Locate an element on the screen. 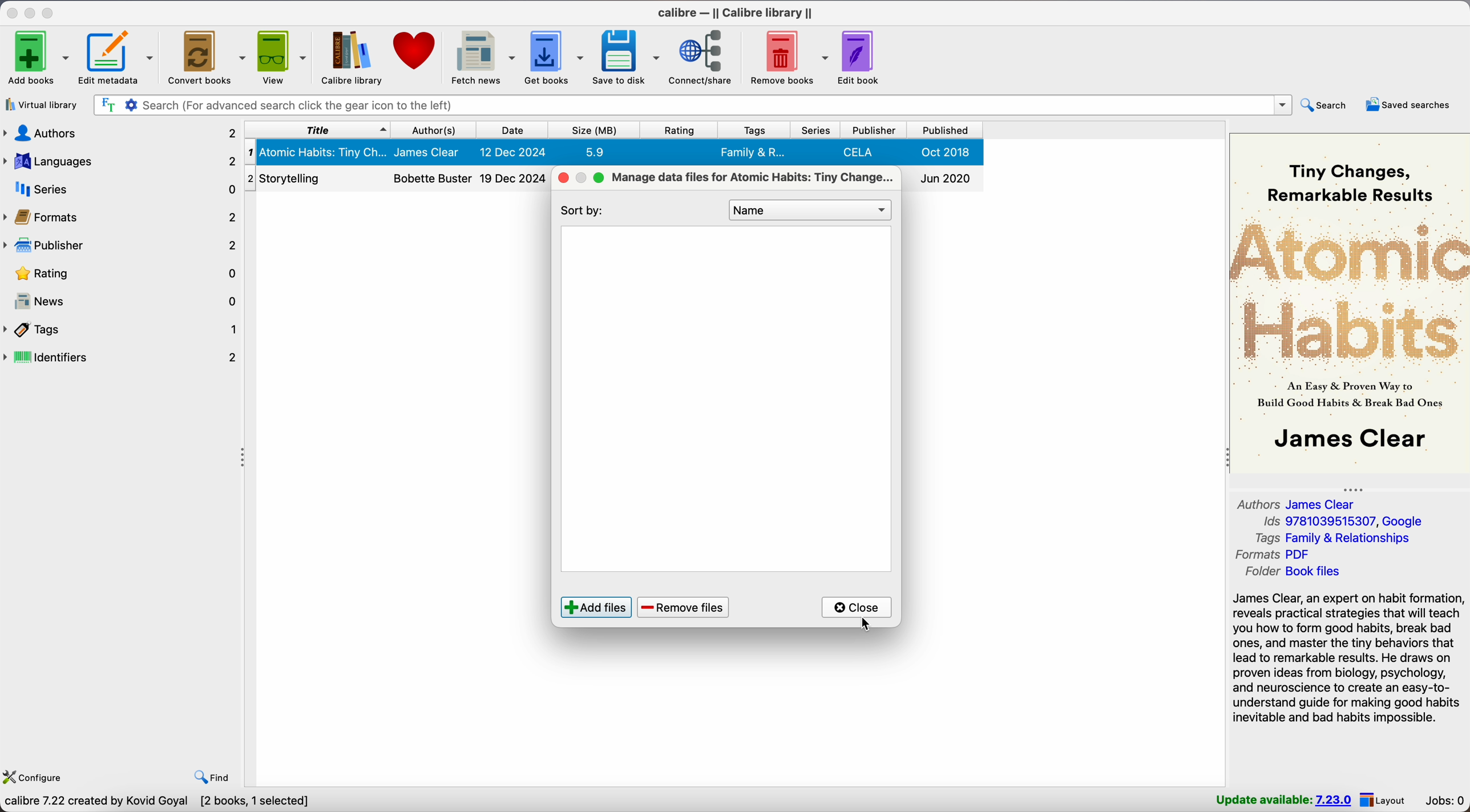 This screenshot has width=1470, height=812. layout is located at coordinates (1383, 800).